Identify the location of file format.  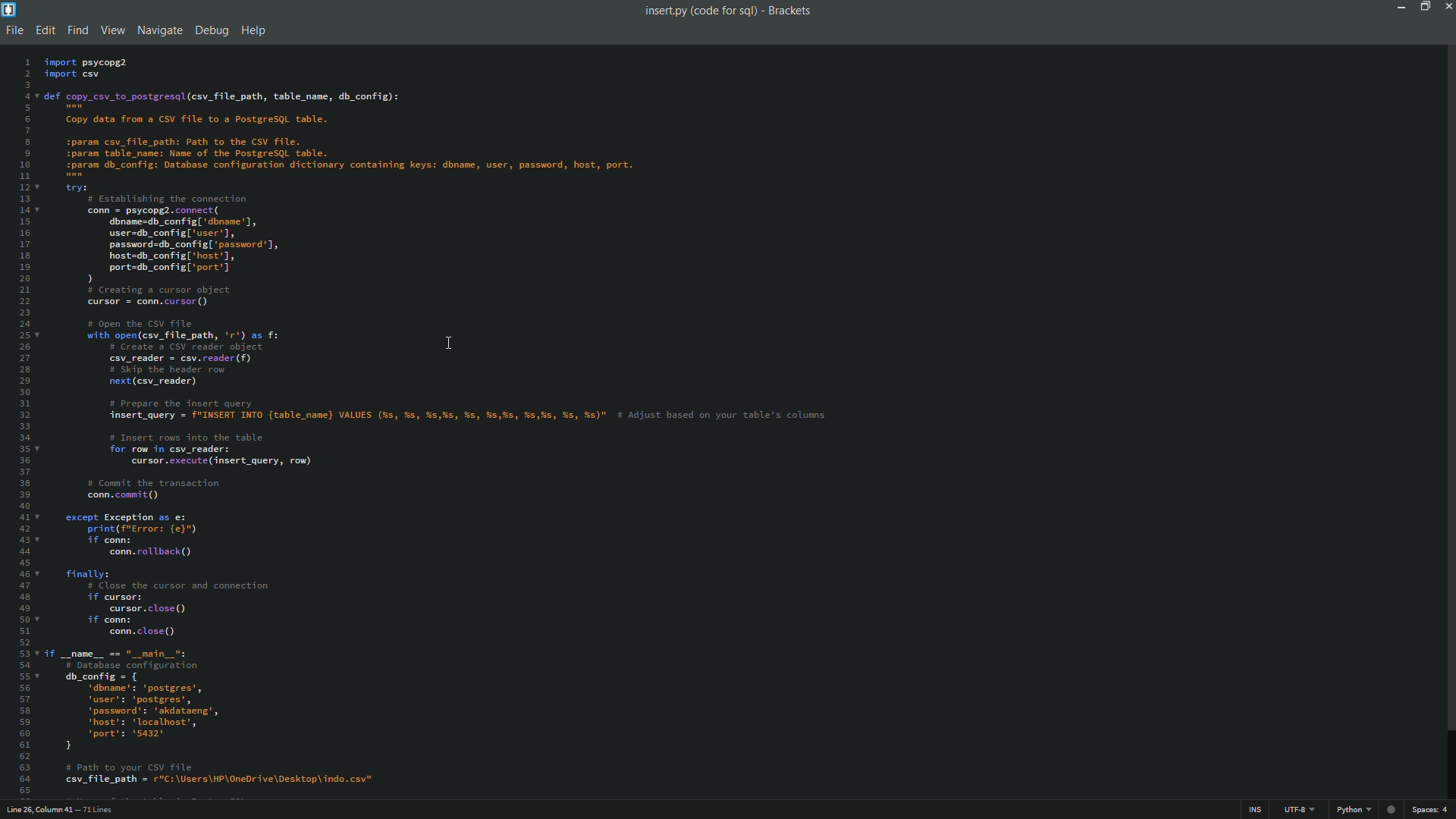
(1354, 811).